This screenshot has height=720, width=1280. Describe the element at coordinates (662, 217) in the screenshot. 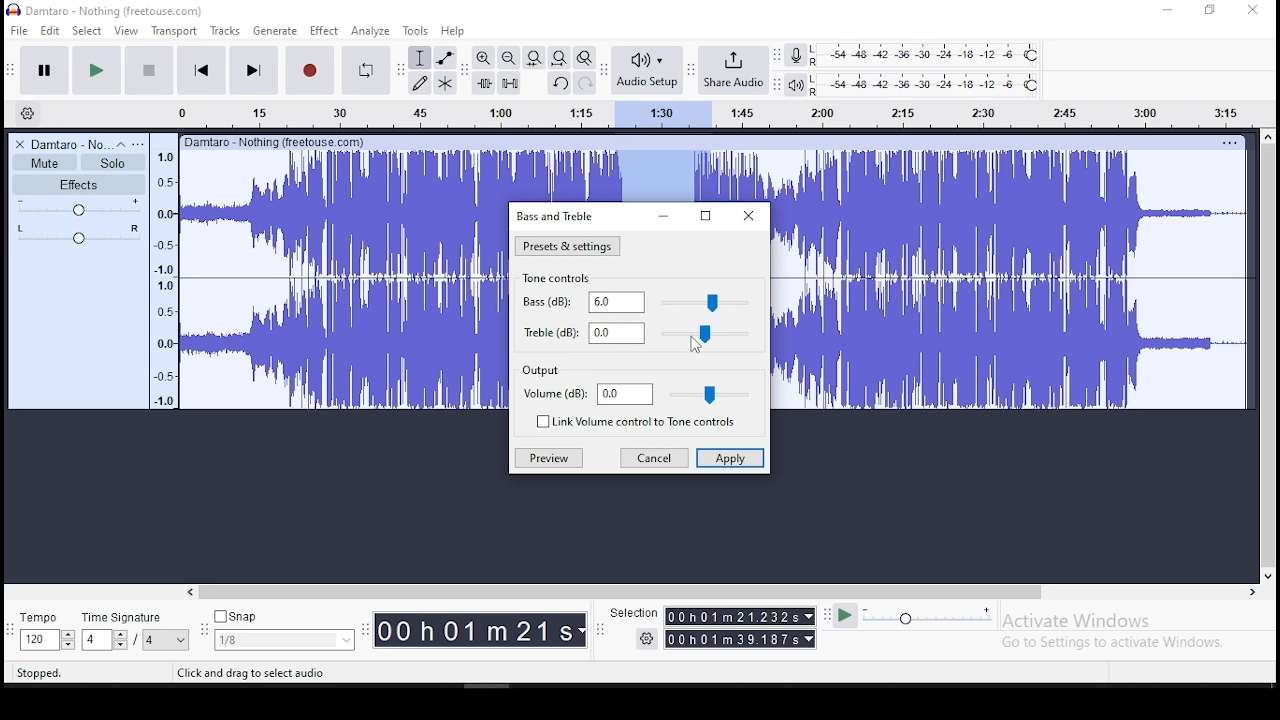

I see `minimize` at that location.